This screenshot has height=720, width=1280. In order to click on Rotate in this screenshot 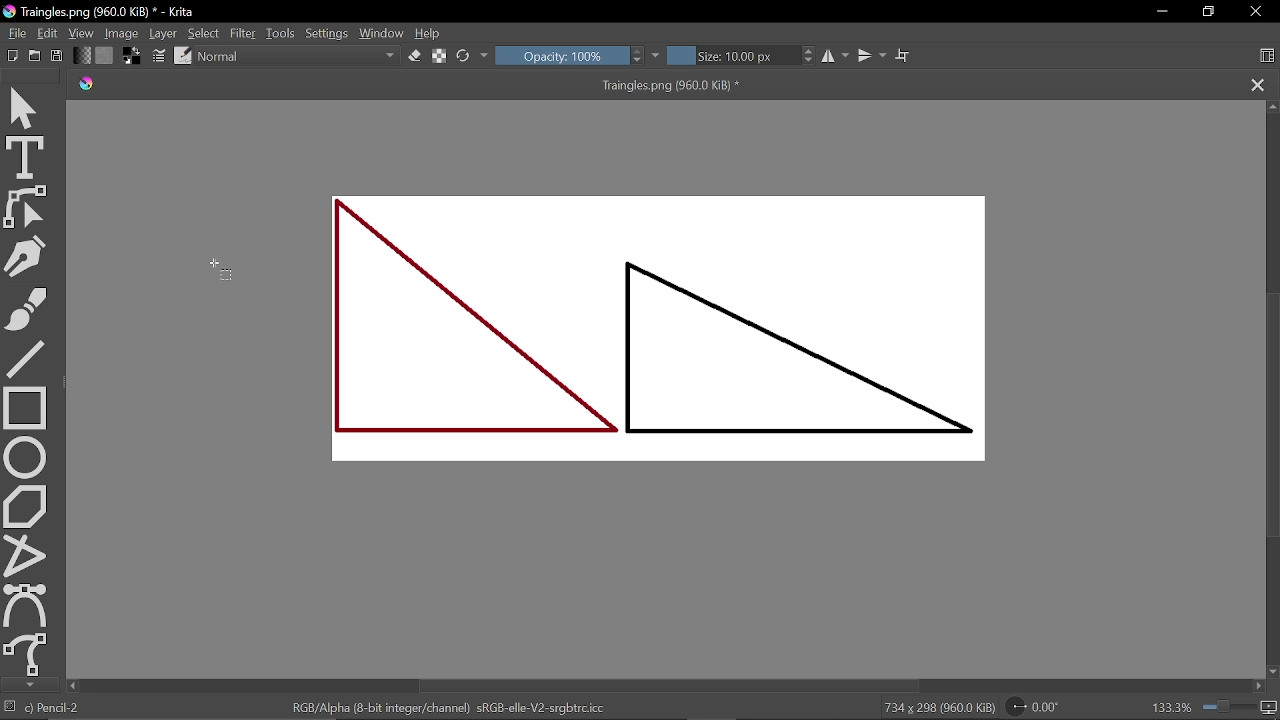, I will do `click(1034, 706)`.